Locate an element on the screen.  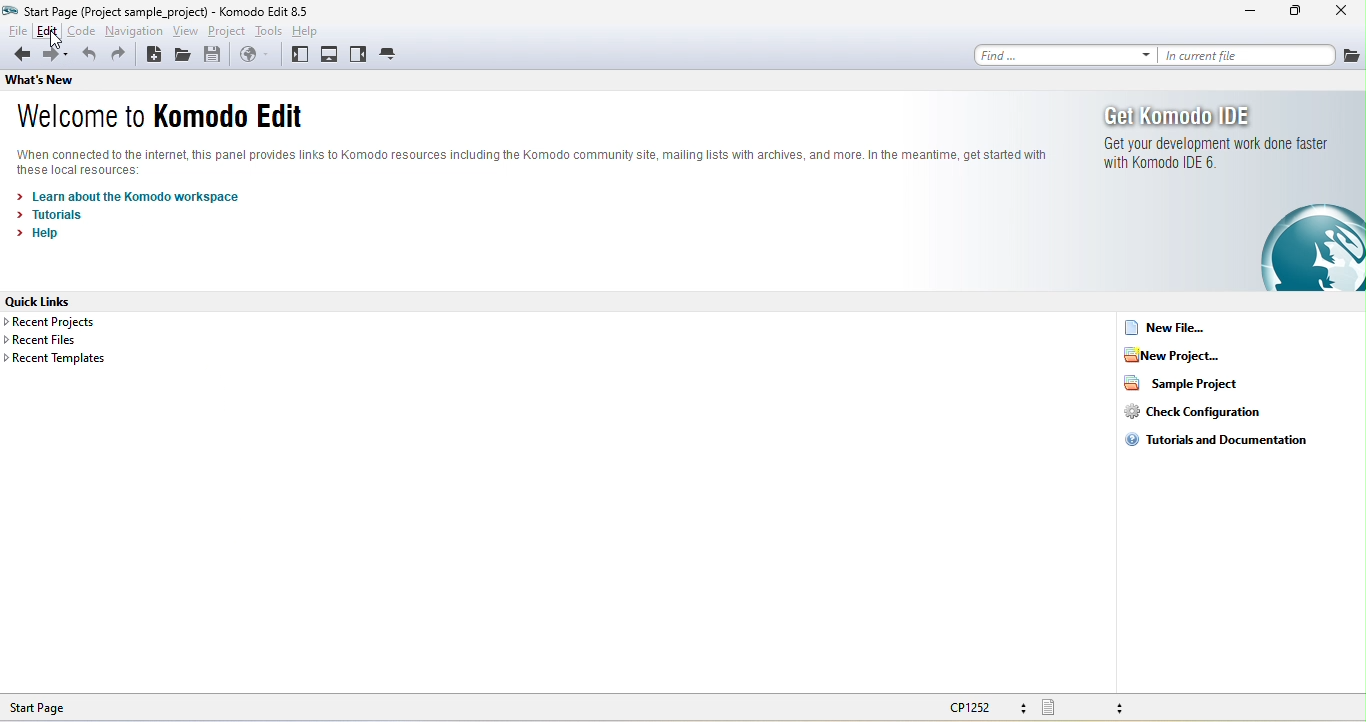
check configuration is located at coordinates (1206, 411).